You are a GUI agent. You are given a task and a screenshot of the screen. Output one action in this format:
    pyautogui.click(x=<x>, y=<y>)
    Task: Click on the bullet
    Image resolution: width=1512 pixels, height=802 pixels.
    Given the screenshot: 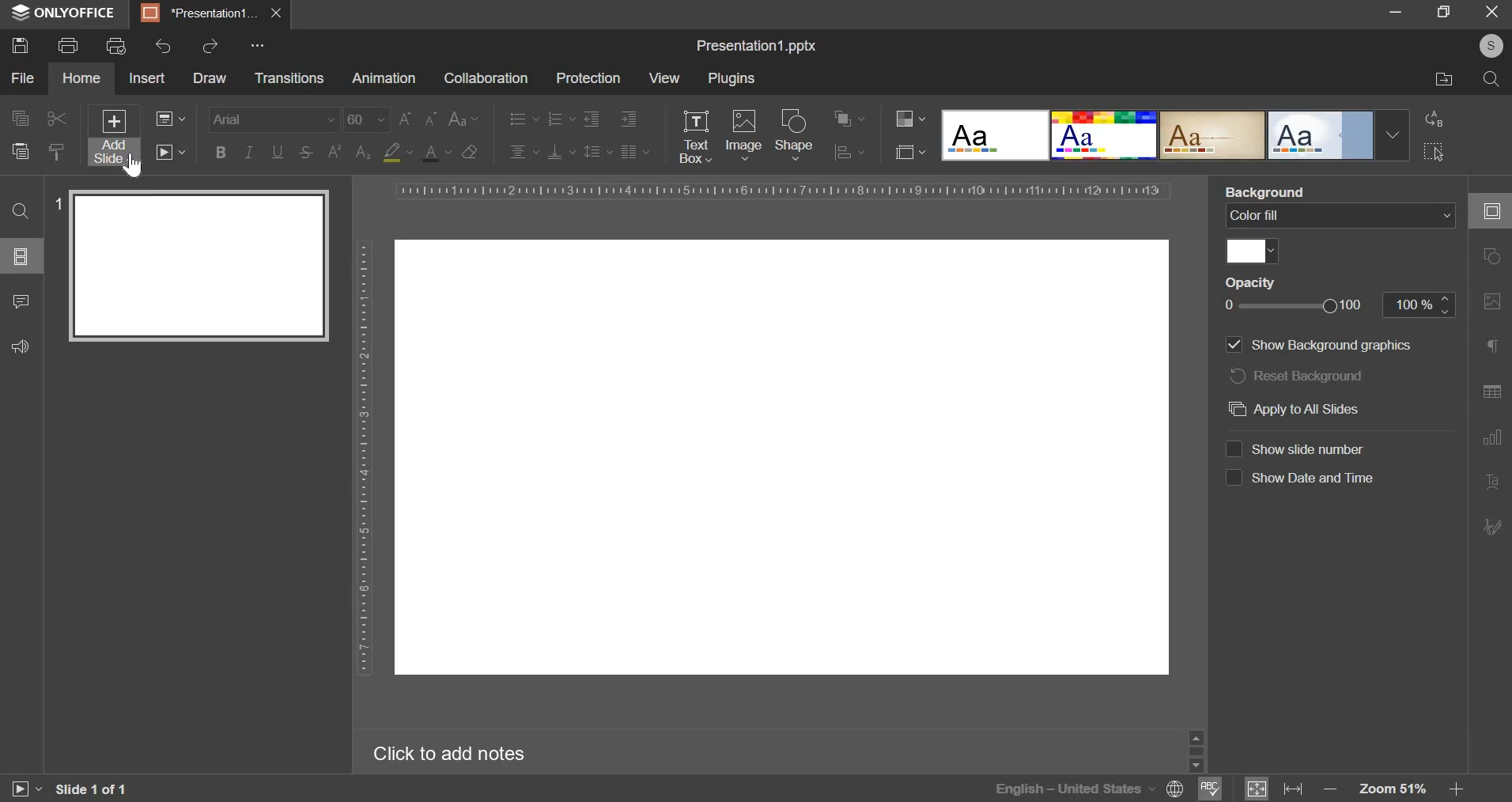 What is the action you would take?
    pyautogui.click(x=523, y=117)
    